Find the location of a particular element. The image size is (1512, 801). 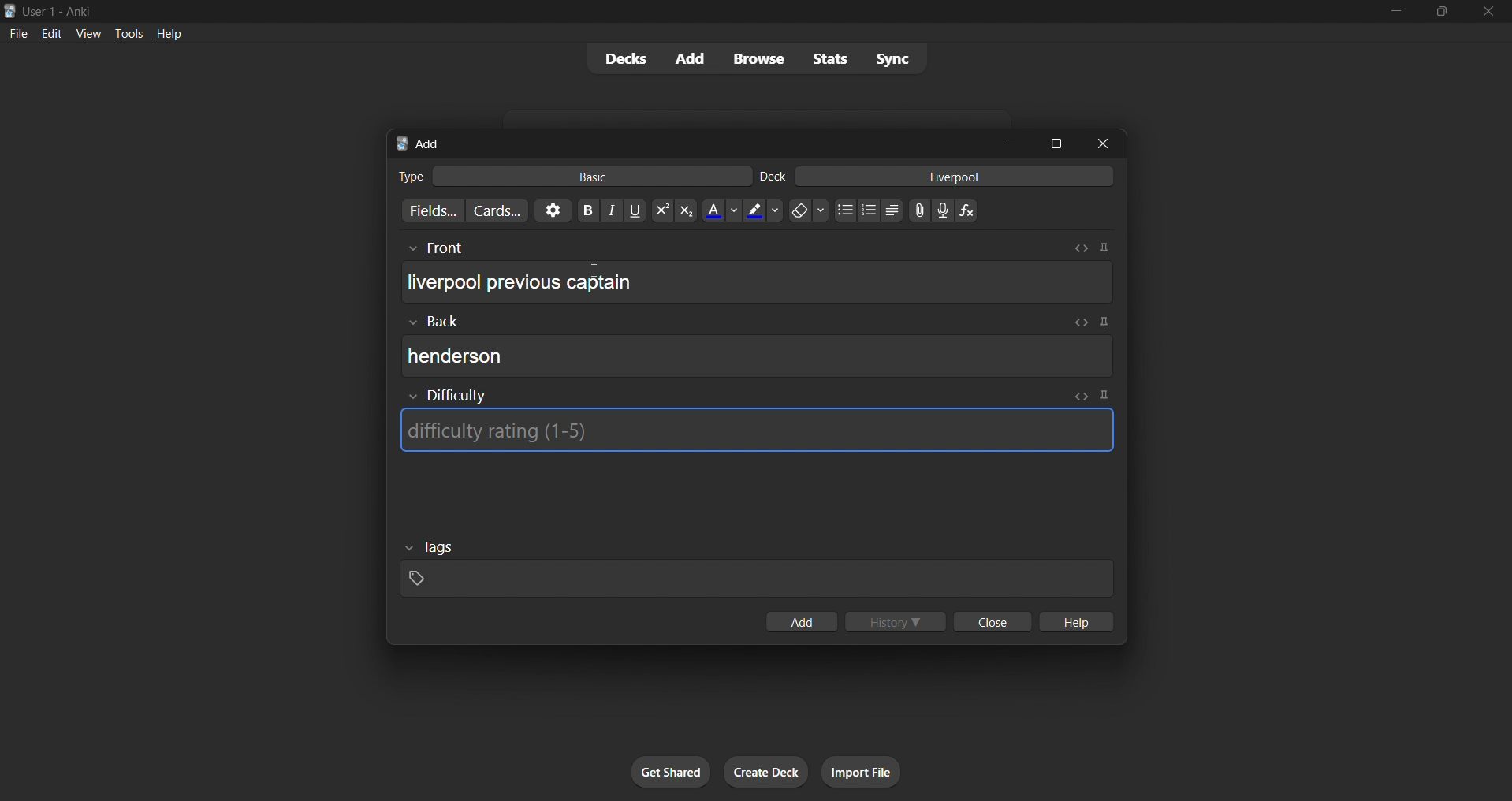

maximize is located at coordinates (1057, 142).